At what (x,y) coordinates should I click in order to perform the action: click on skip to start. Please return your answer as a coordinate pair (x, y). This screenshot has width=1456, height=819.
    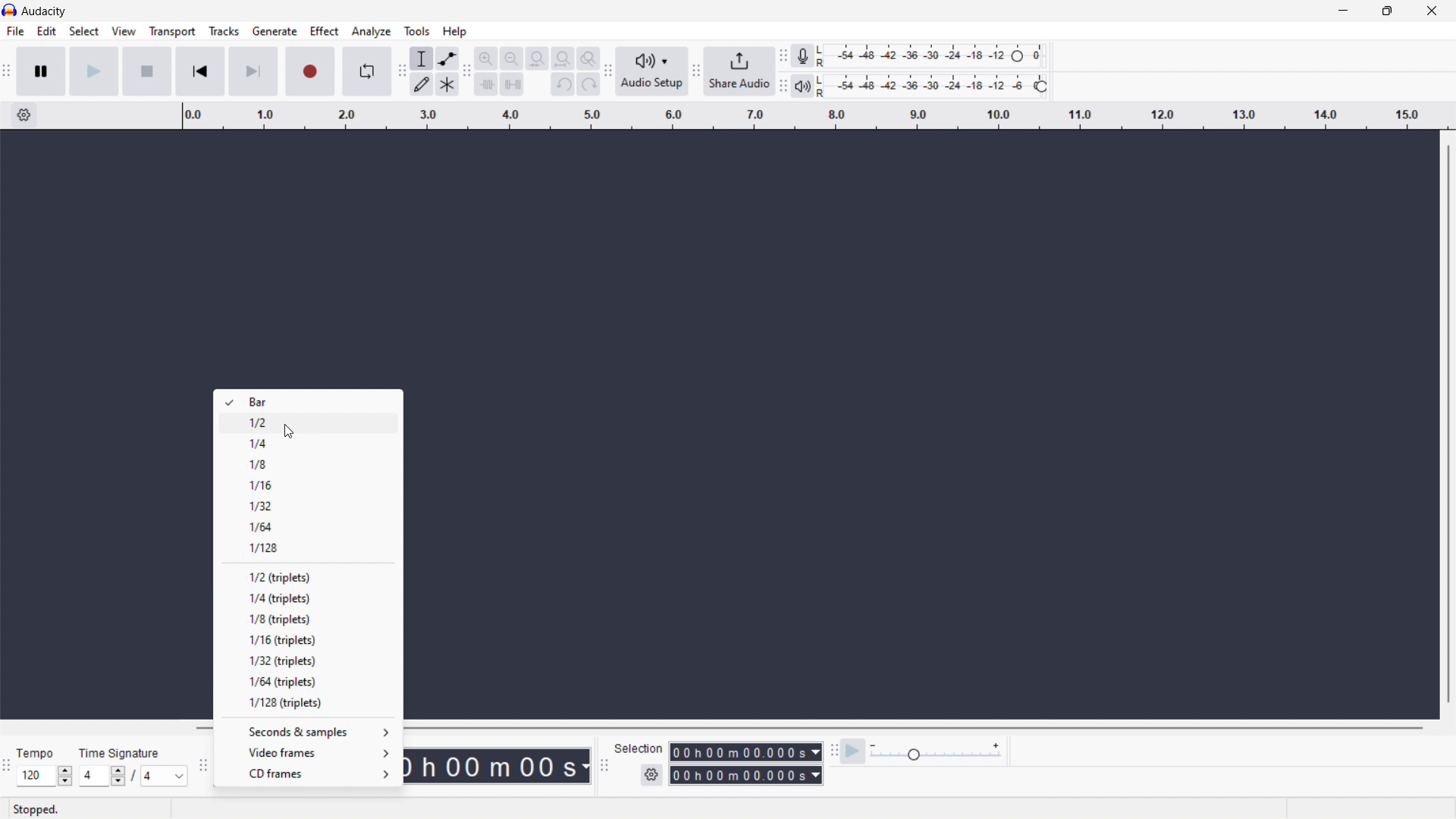
    Looking at the image, I should click on (200, 72).